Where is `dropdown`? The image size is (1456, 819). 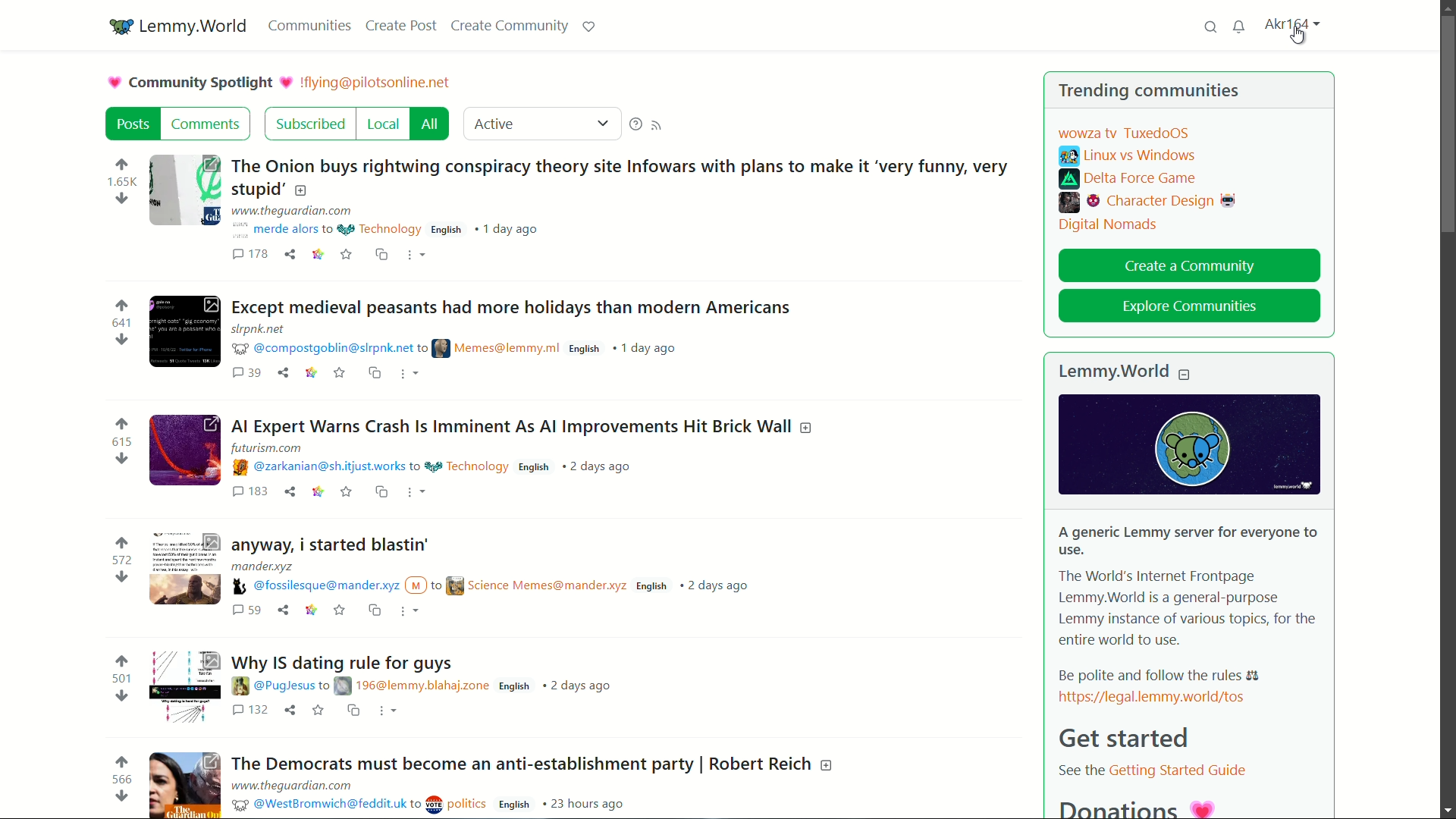 dropdown is located at coordinates (604, 124).